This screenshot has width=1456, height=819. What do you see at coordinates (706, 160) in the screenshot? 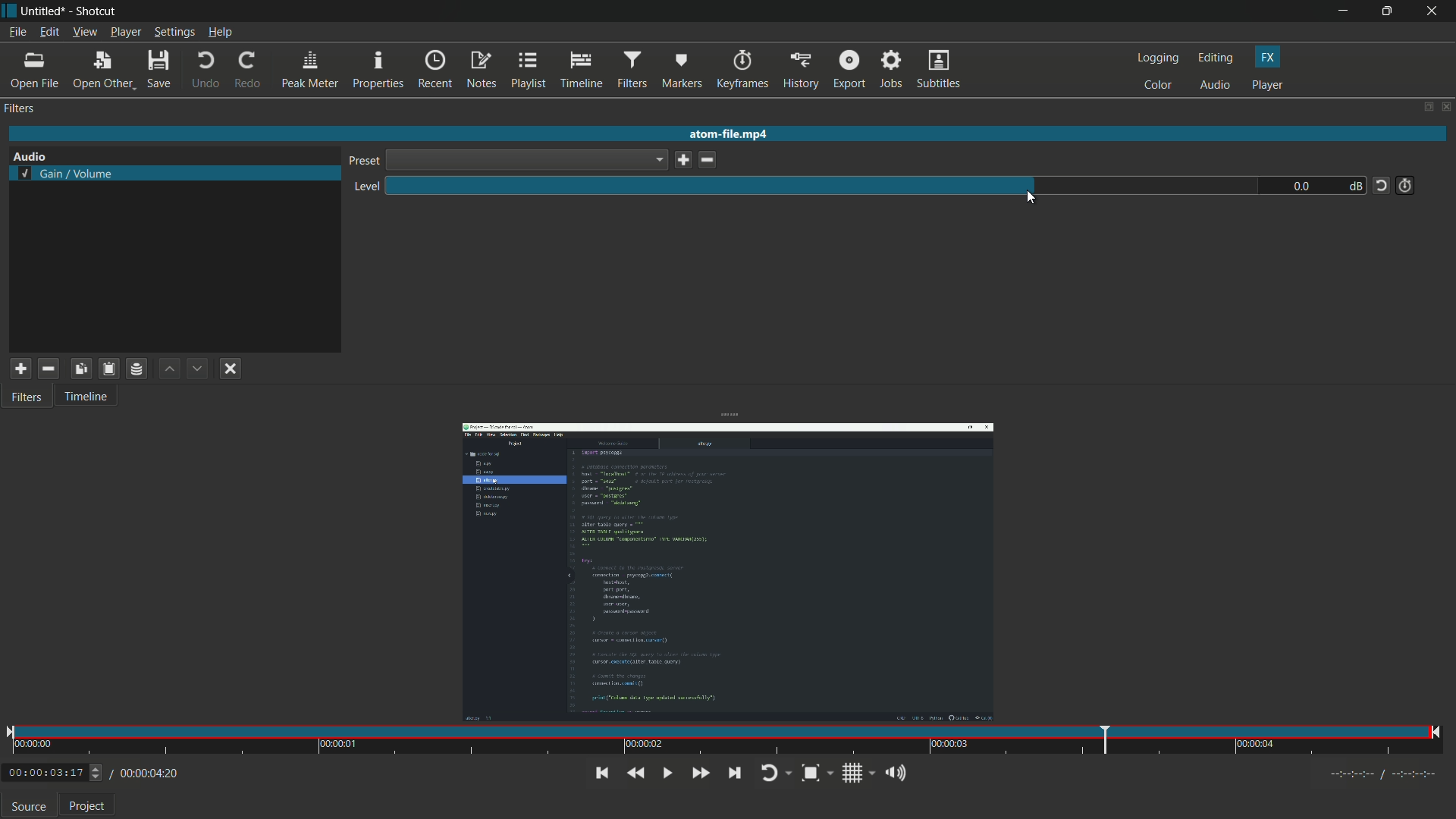
I see `delete` at bounding box center [706, 160].